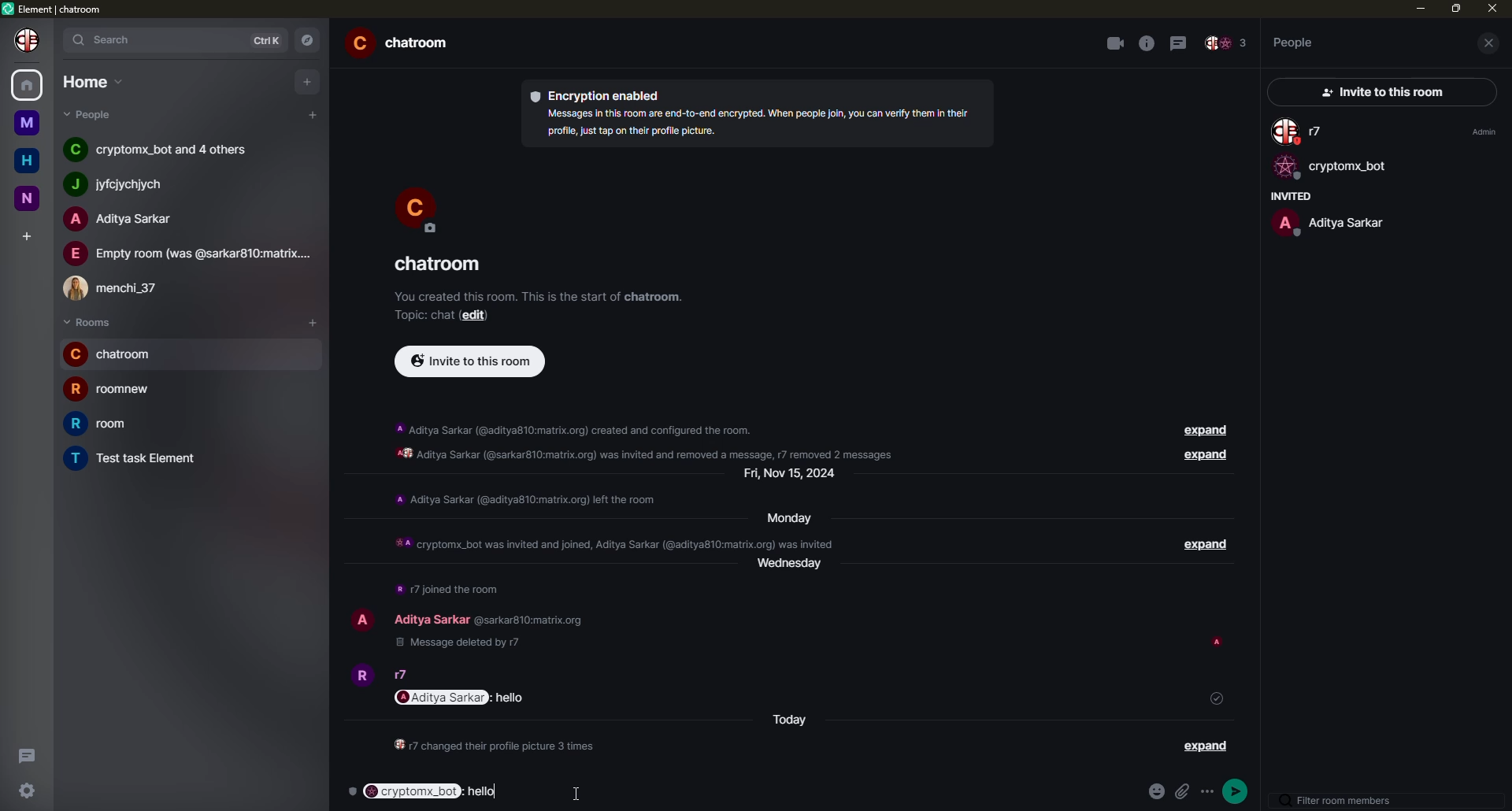 The image size is (1512, 811). Describe the element at coordinates (29, 161) in the screenshot. I see `home` at that location.